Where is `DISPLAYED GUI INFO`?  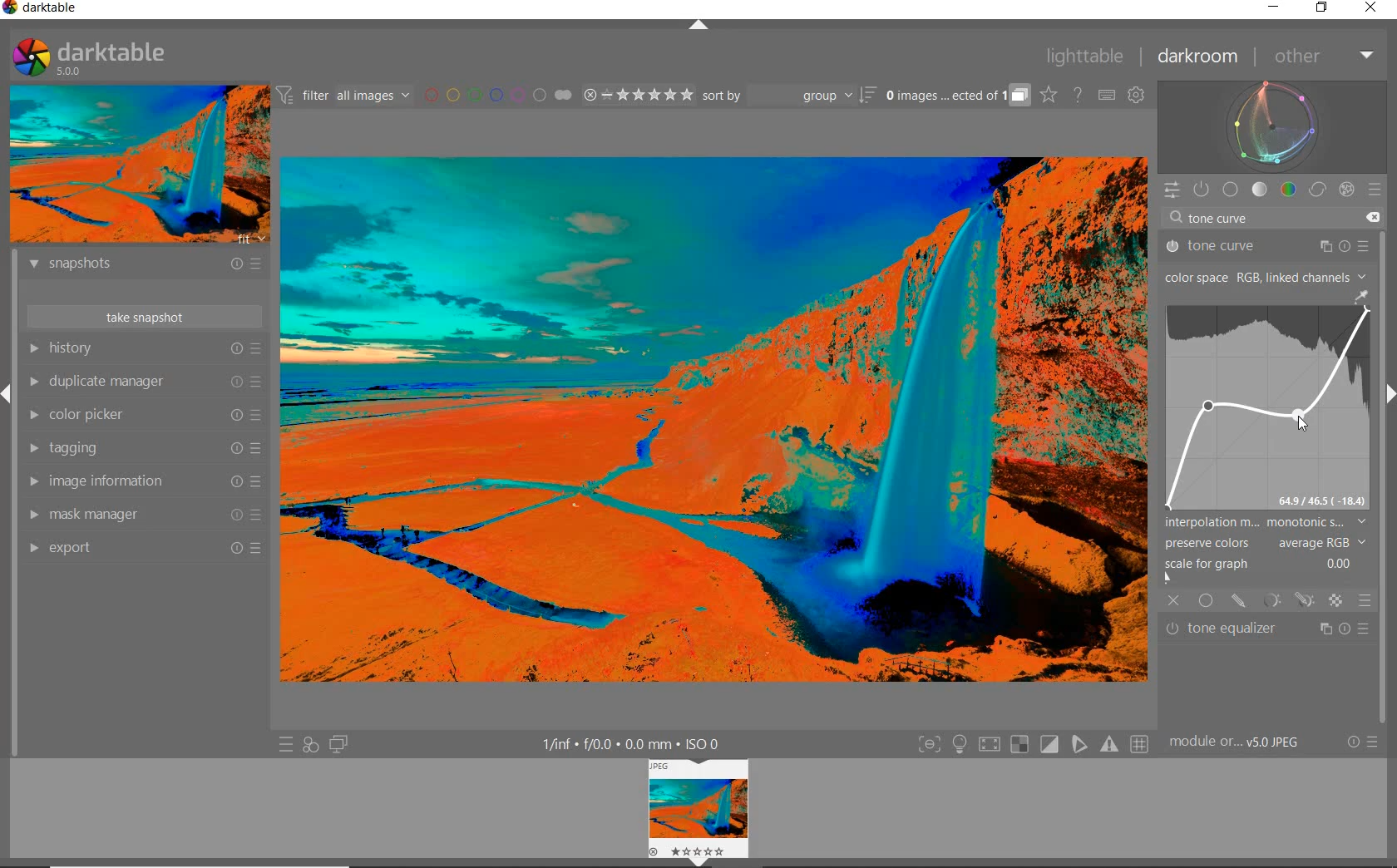 DISPLAYED GUI INFO is located at coordinates (635, 743).